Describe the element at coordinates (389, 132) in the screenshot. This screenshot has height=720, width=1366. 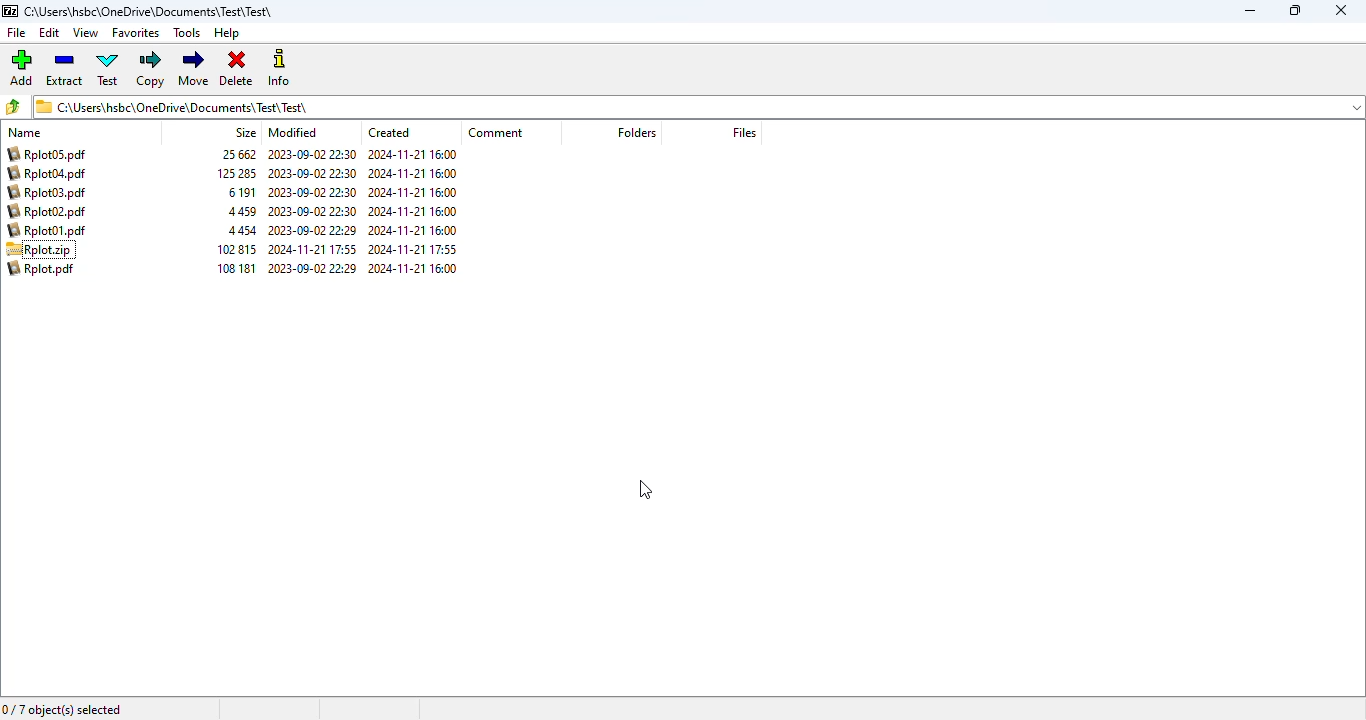
I see `created` at that location.